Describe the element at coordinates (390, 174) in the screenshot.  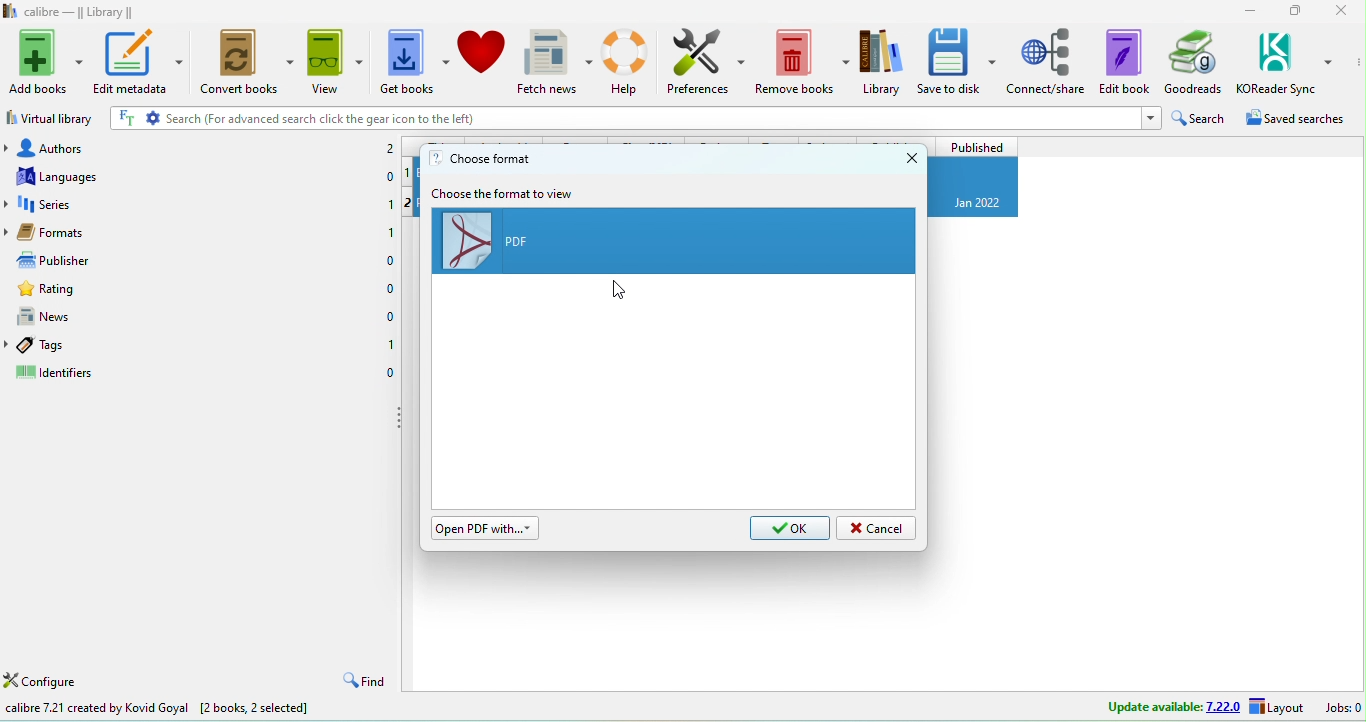
I see `0` at that location.